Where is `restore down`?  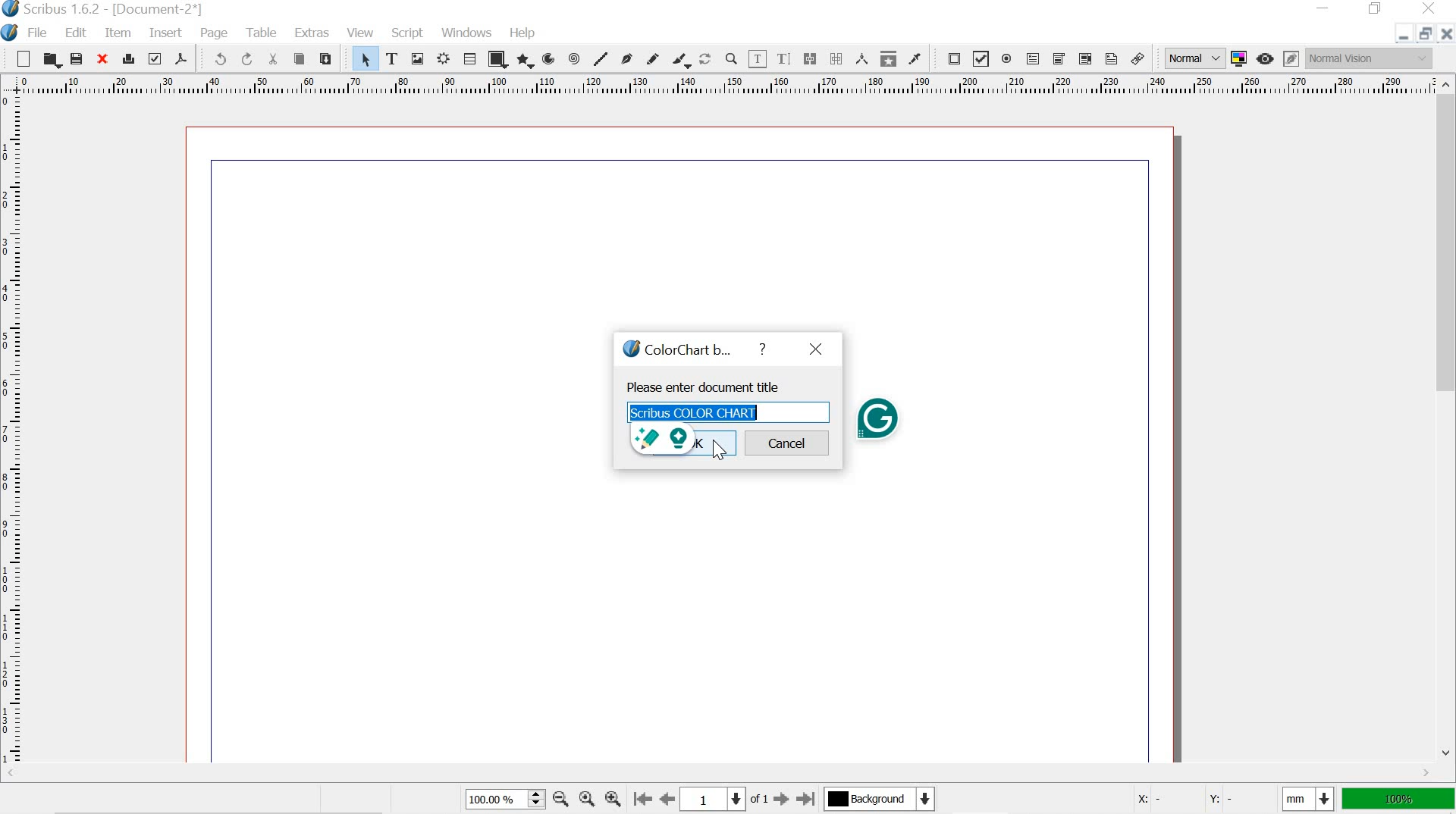 restore down is located at coordinates (1427, 33).